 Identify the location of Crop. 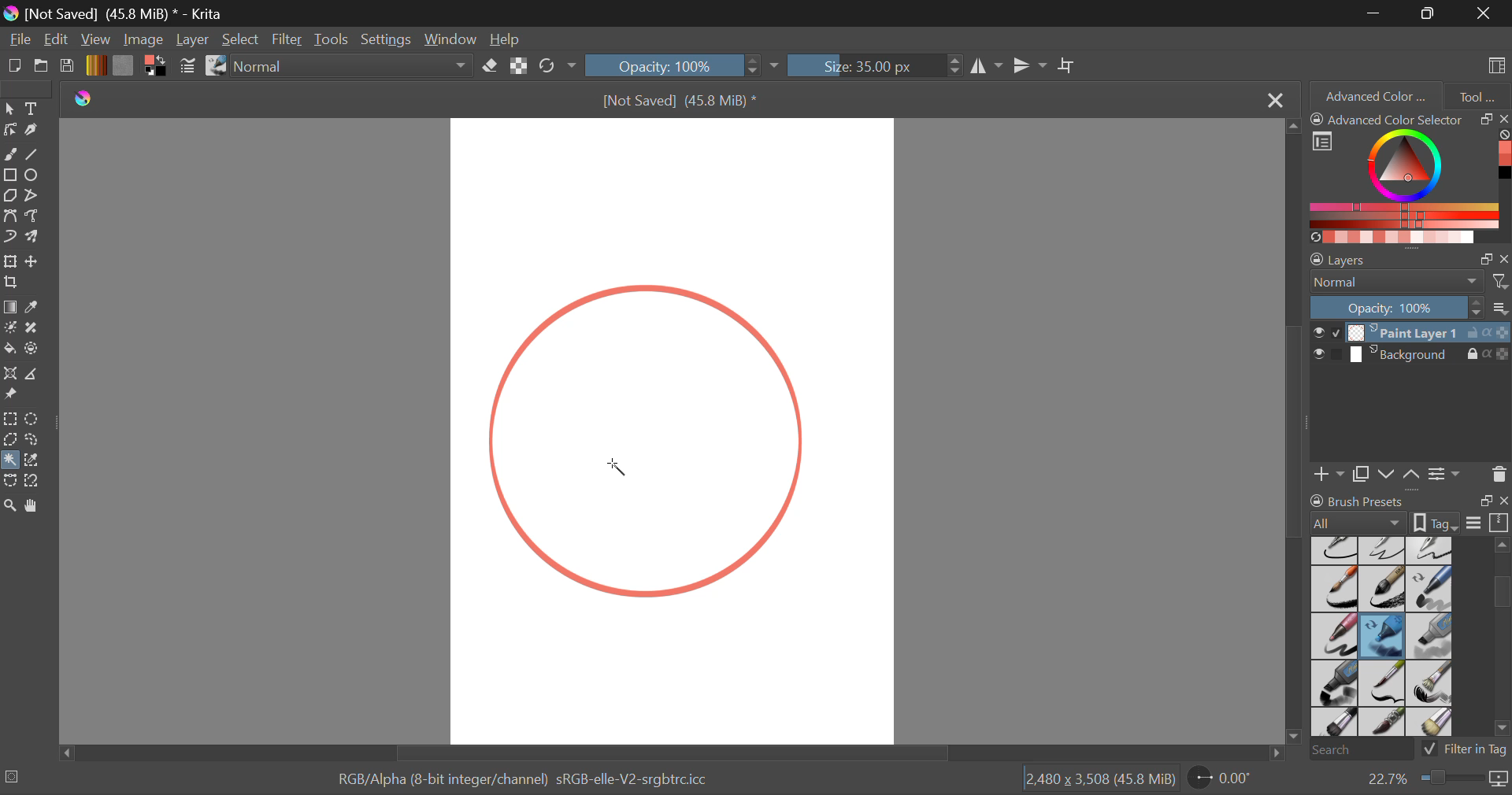
(1069, 66).